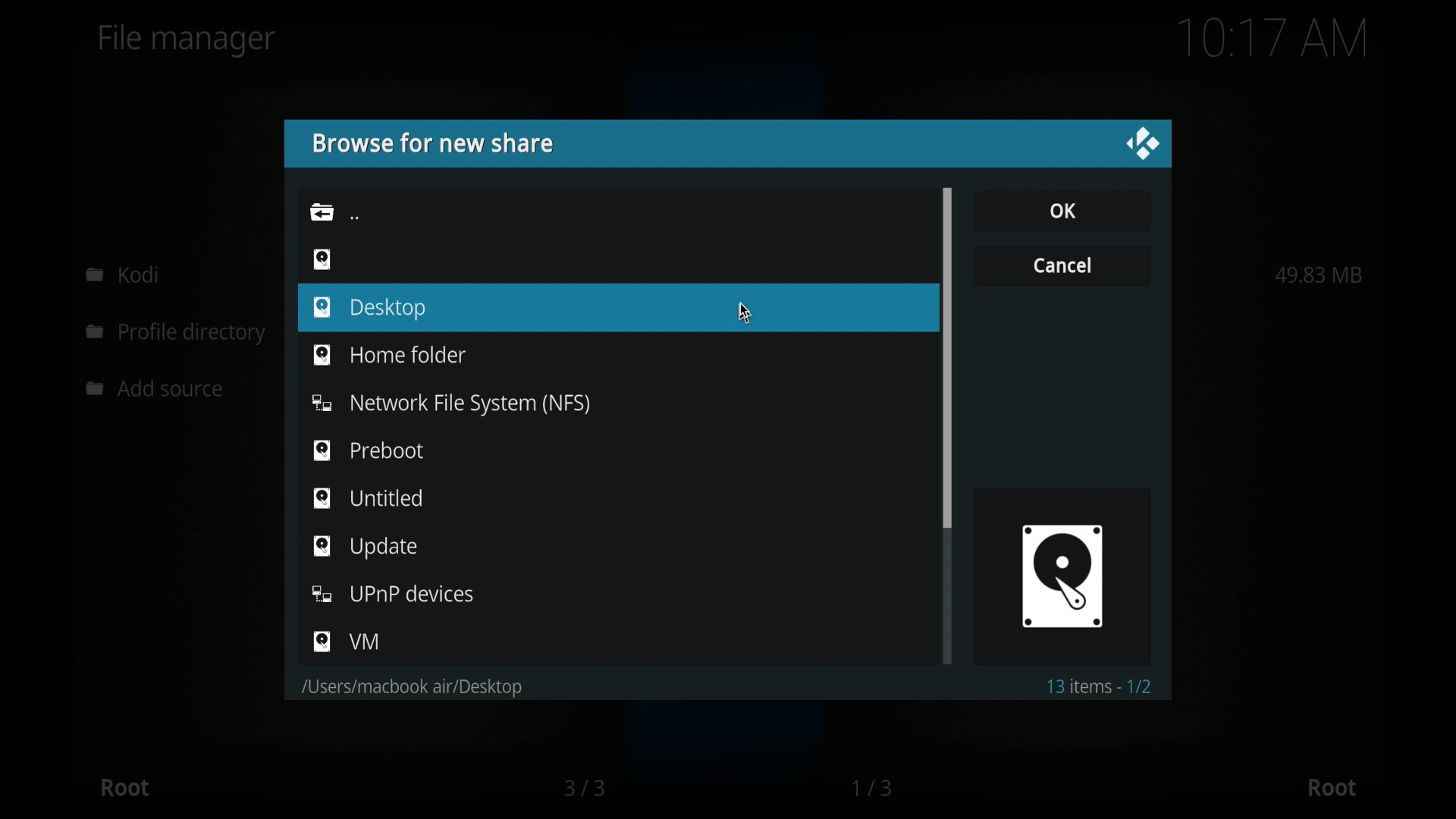  I want to click on 13 items - 1/2 , so click(1101, 686).